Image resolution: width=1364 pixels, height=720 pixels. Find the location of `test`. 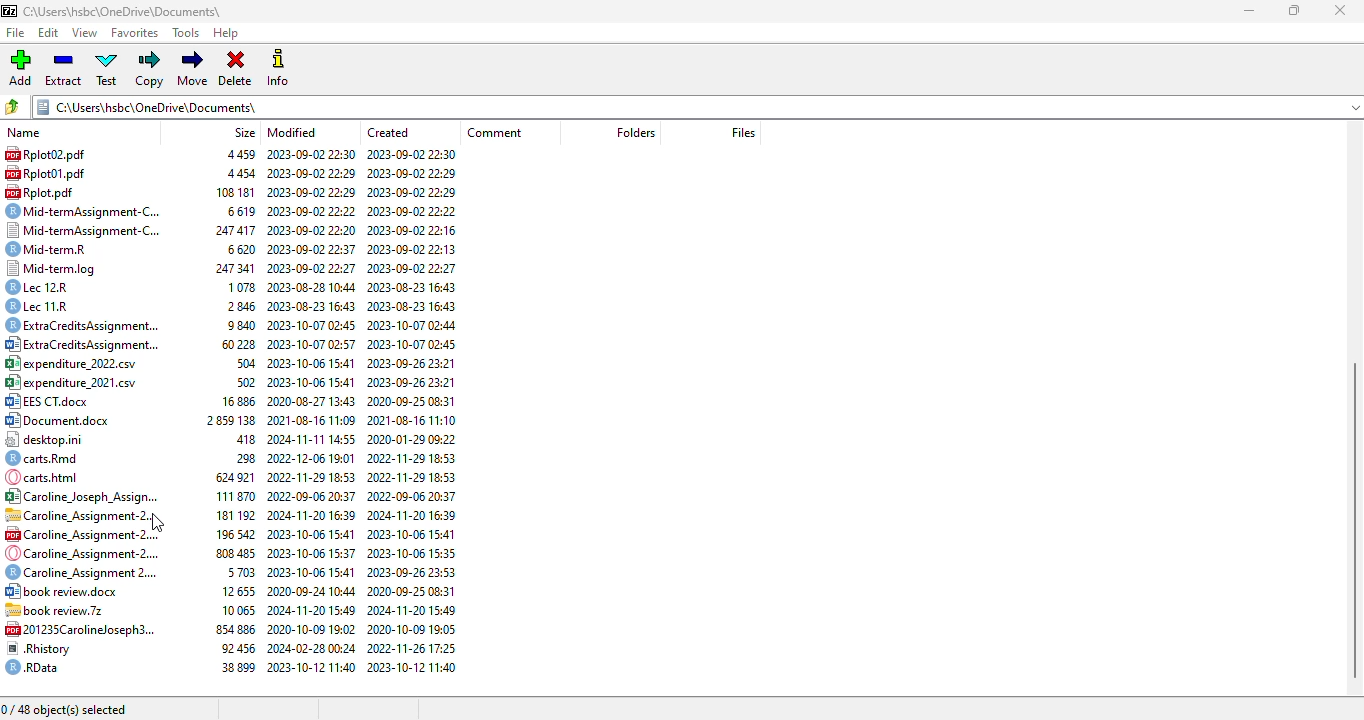

test is located at coordinates (106, 68).